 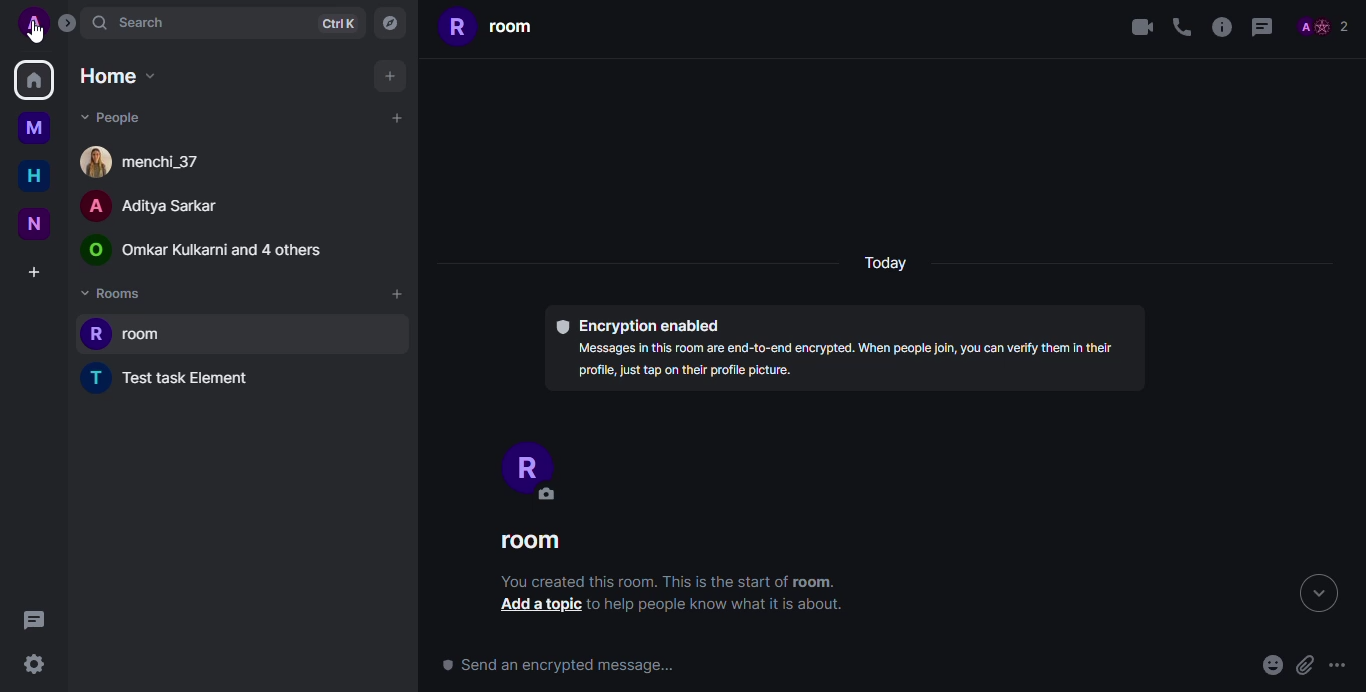 I want to click on search, so click(x=135, y=23).